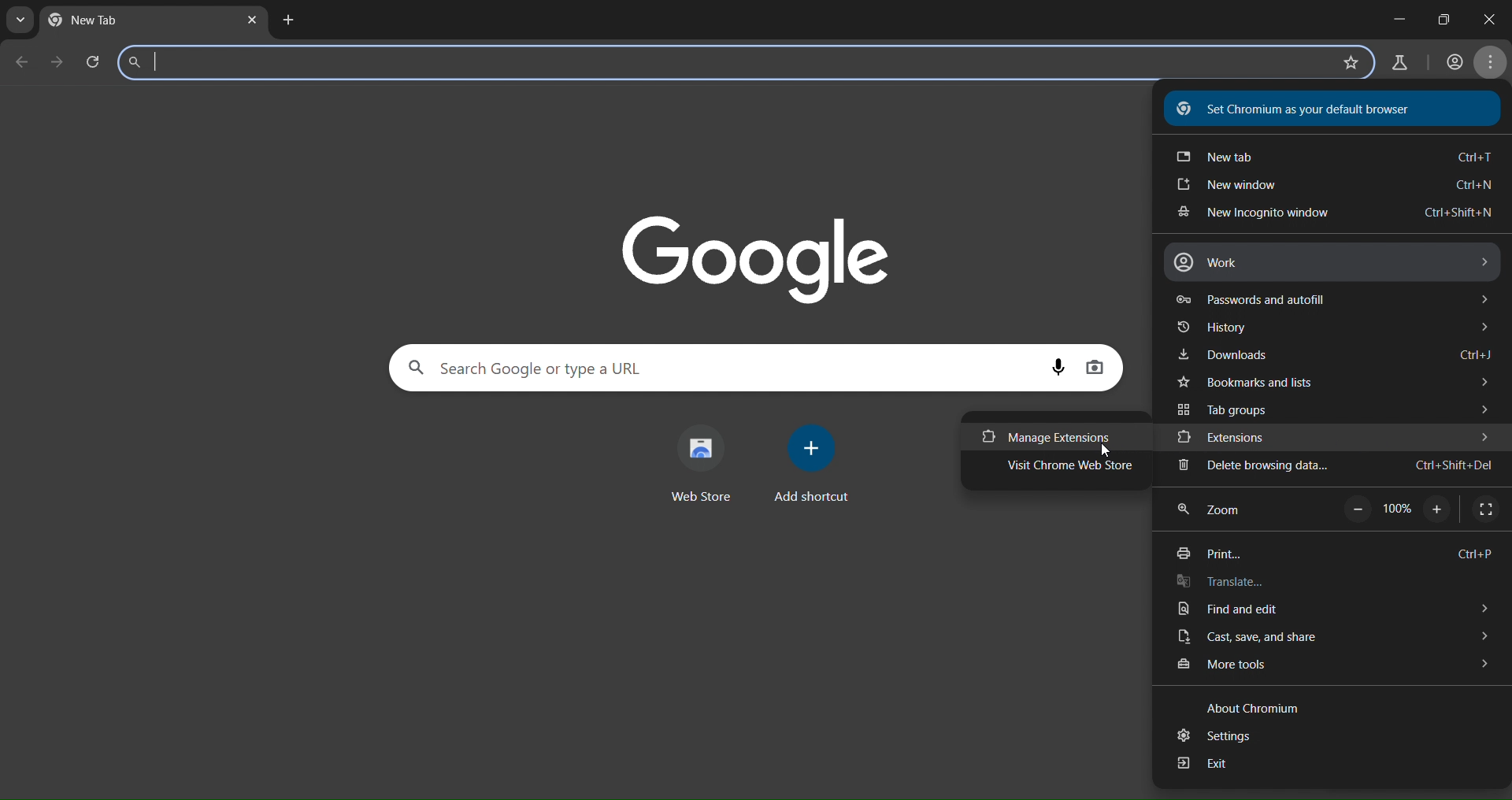  Describe the element at coordinates (1340, 551) in the screenshot. I see `print` at that location.